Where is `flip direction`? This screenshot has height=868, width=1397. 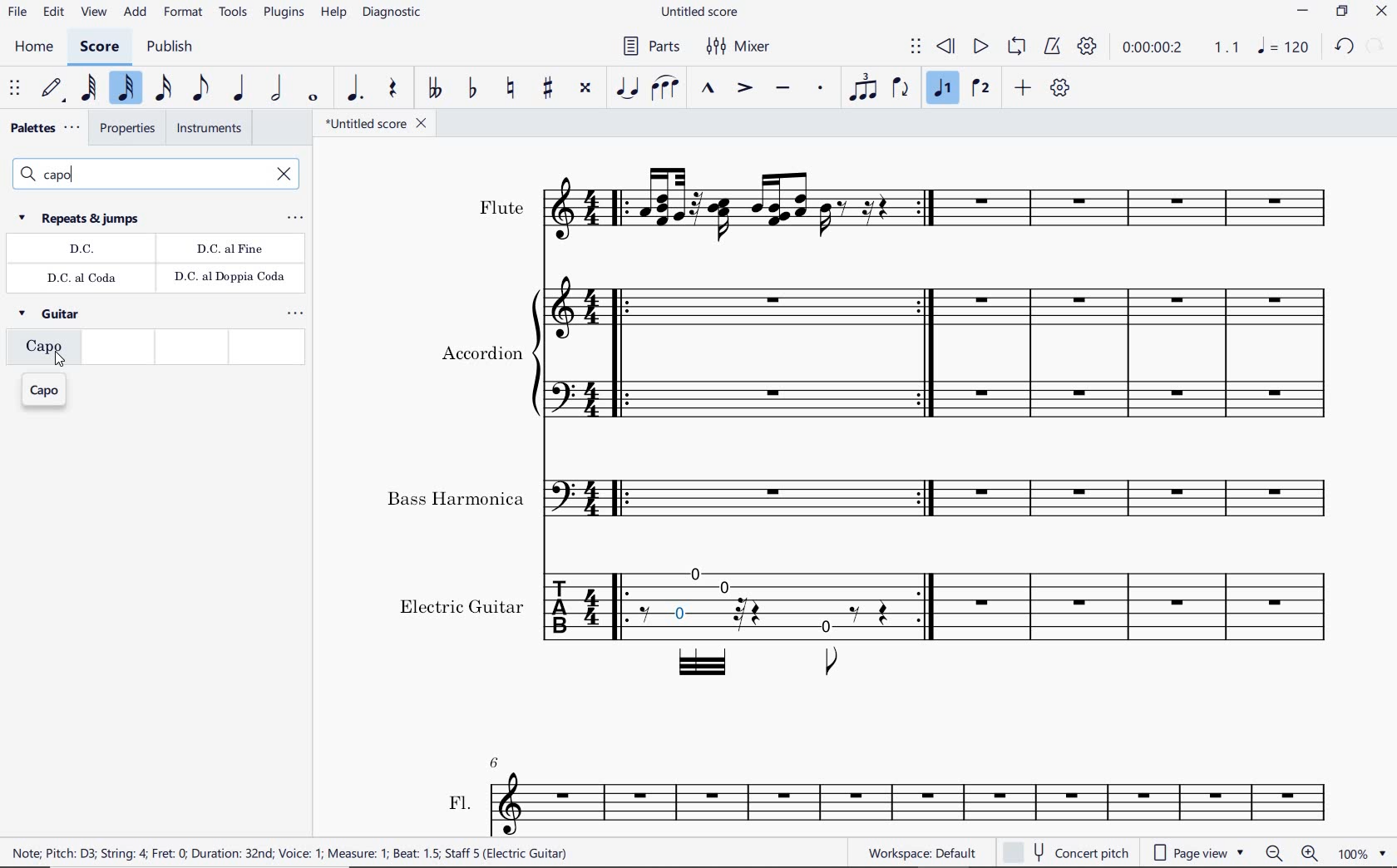 flip direction is located at coordinates (901, 88).